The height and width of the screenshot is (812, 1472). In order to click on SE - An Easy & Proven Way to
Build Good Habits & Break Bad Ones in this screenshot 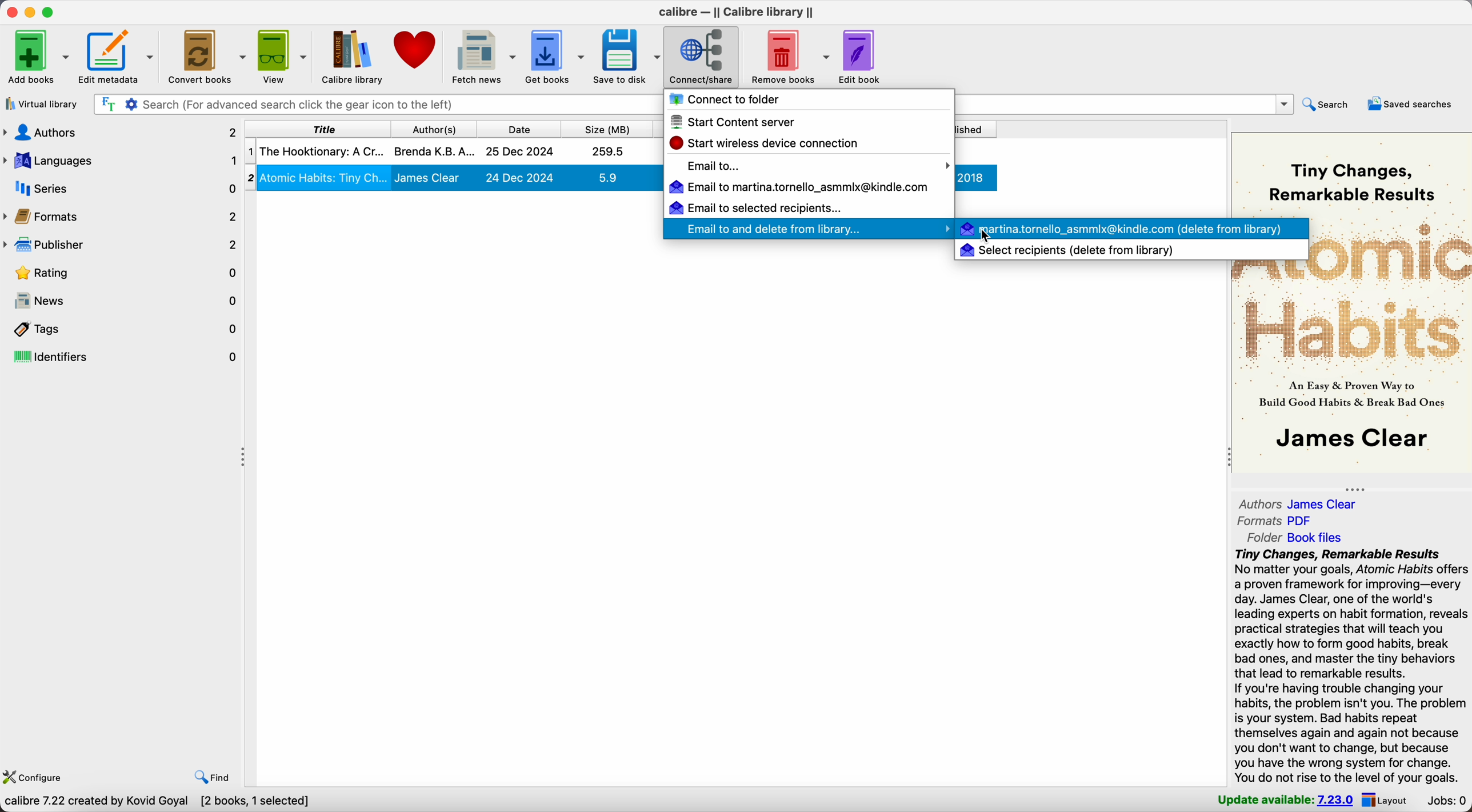, I will do `click(1351, 394)`.